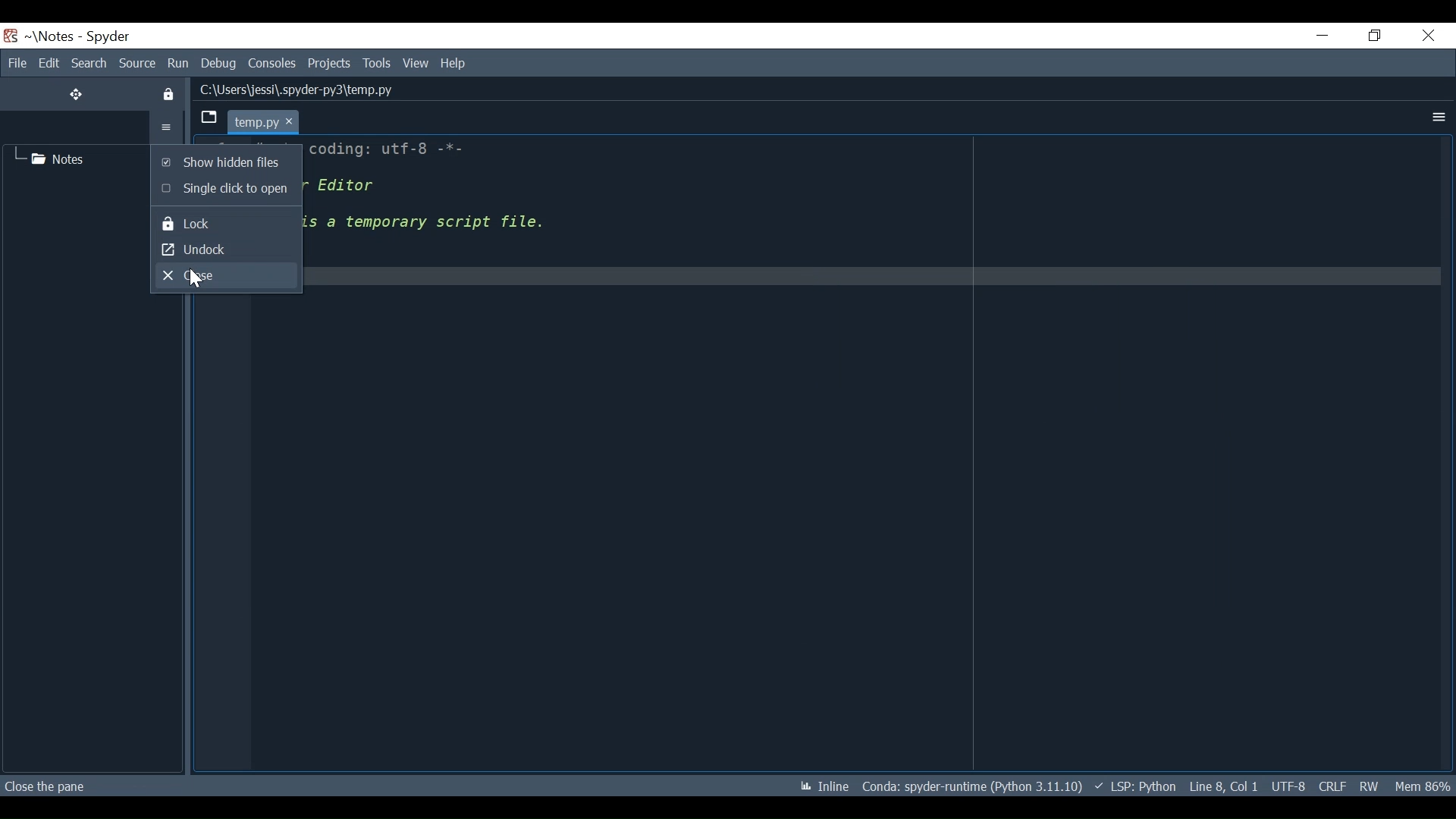  Describe the element at coordinates (57, 158) in the screenshot. I see `Project Folder` at that location.